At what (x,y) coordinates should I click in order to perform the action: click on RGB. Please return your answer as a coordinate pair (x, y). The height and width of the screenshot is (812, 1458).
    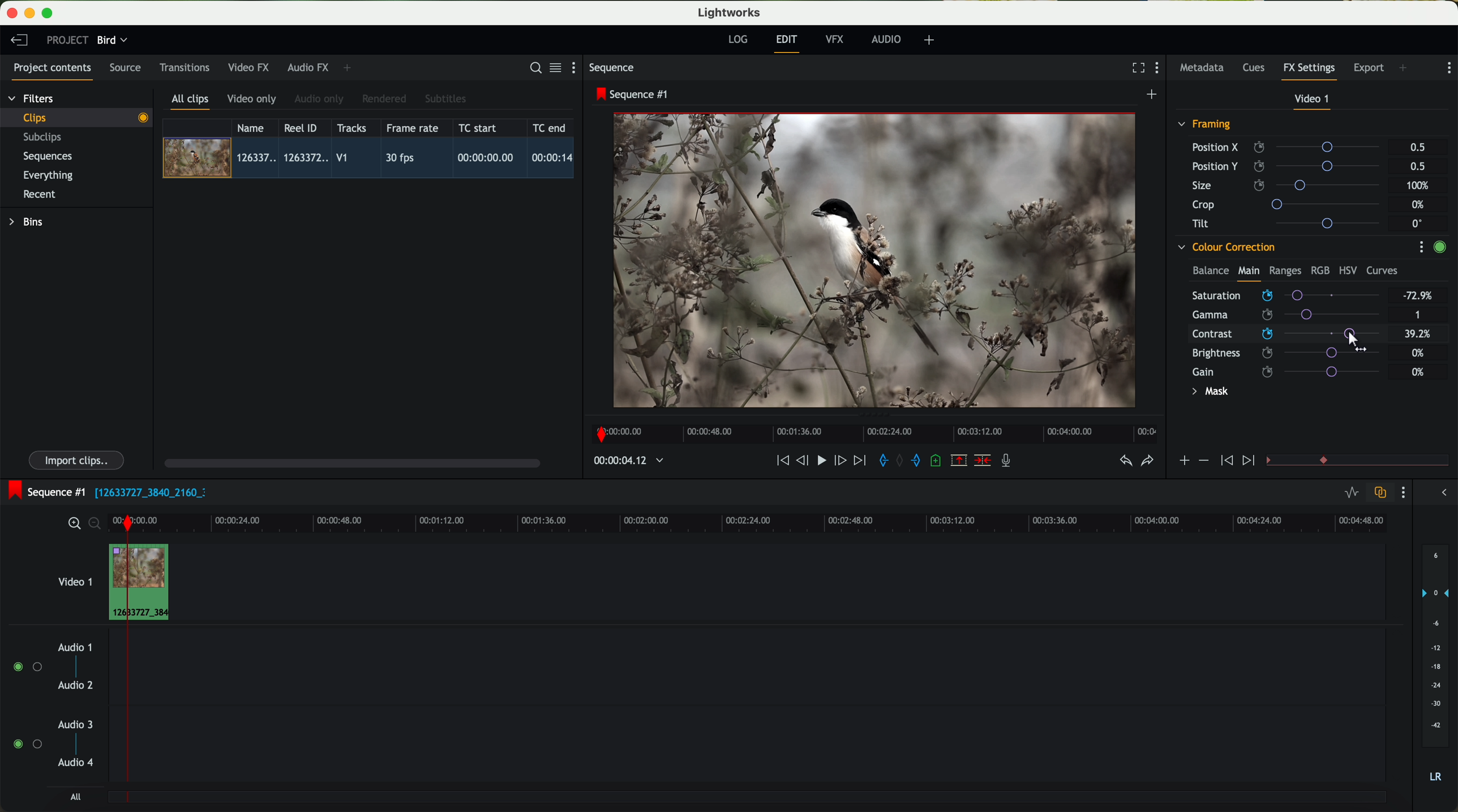
    Looking at the image, I should click on (1319, 269).